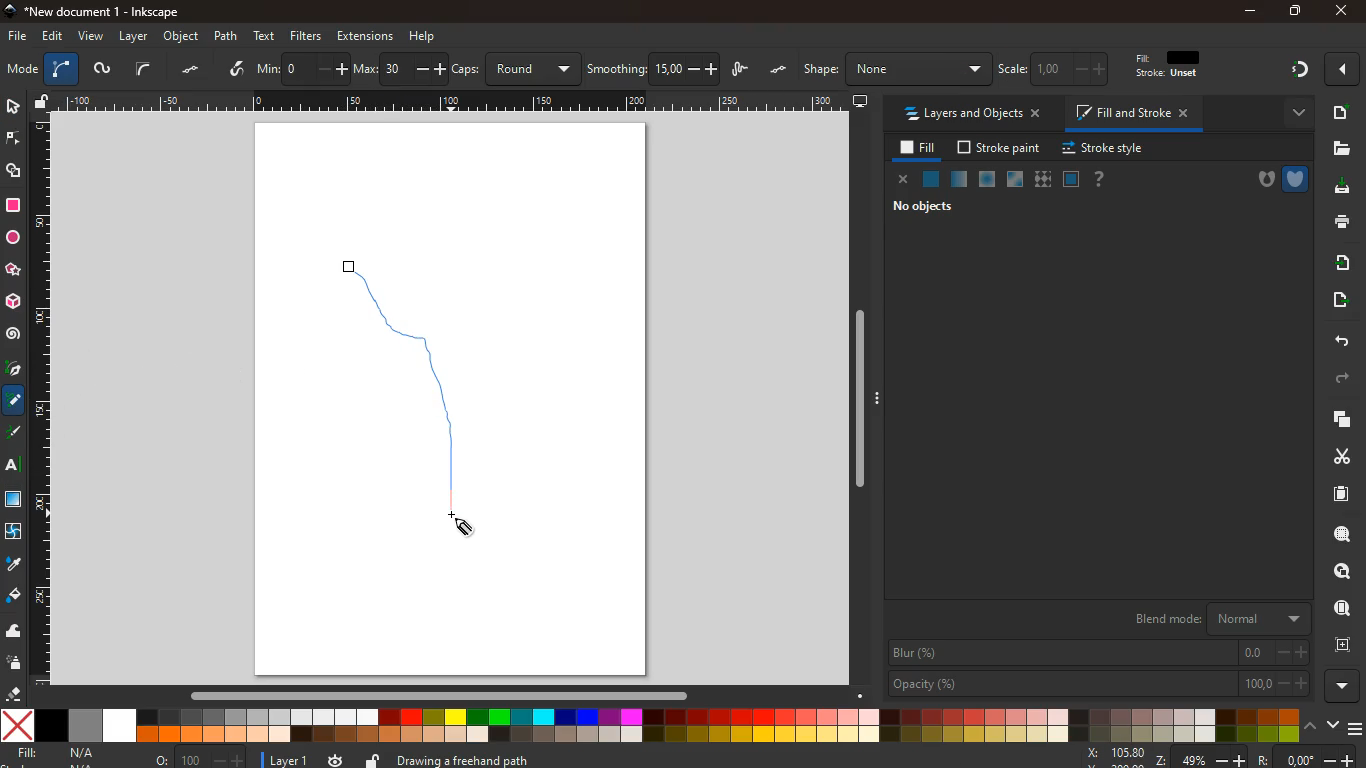 This screenshot has height=768, width=1366. I want to click on no objects, so click(923, 206).